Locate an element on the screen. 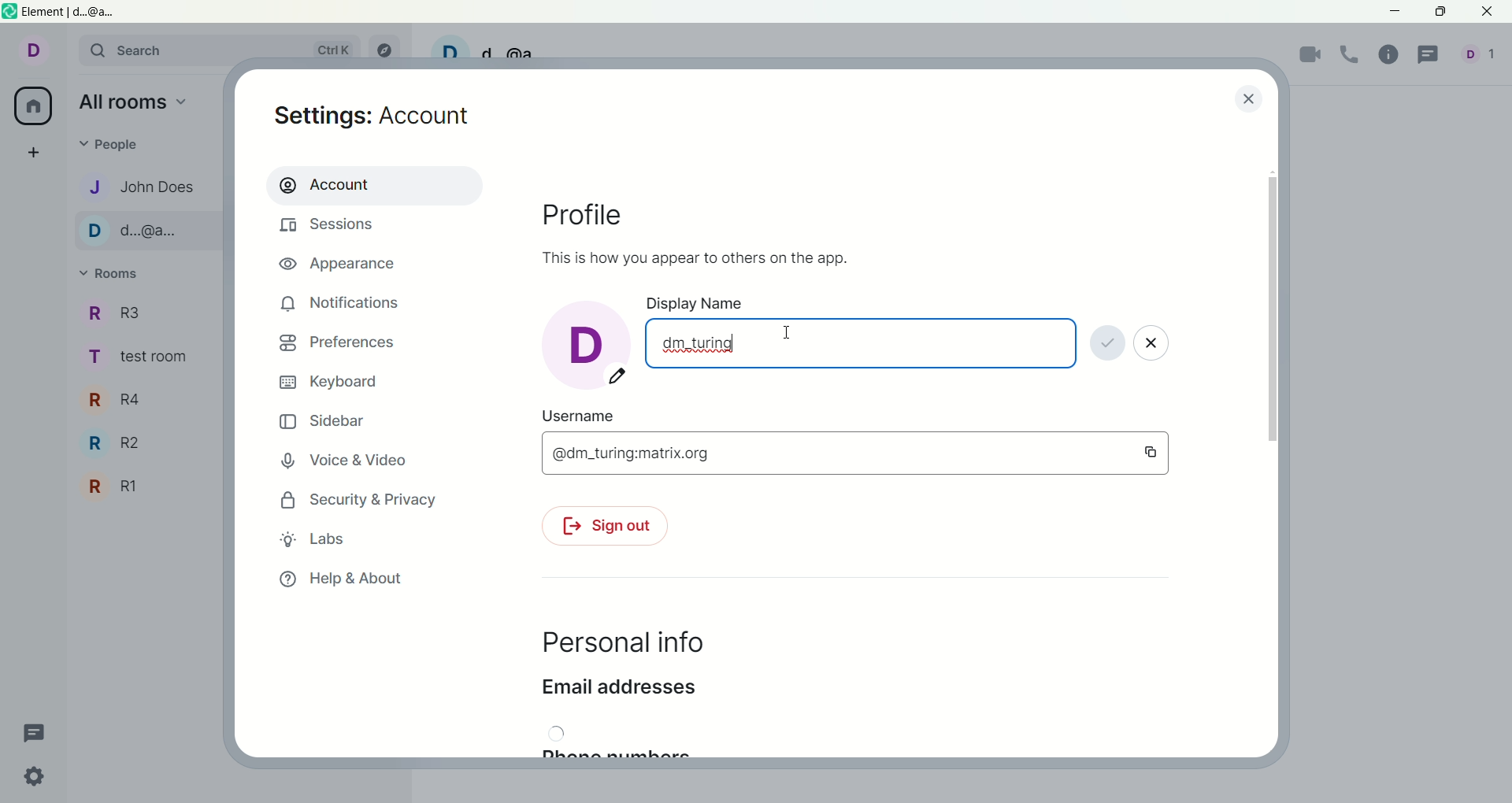 This screenshot has width=1512, height=803. logo is located at coordinates (10, 13).